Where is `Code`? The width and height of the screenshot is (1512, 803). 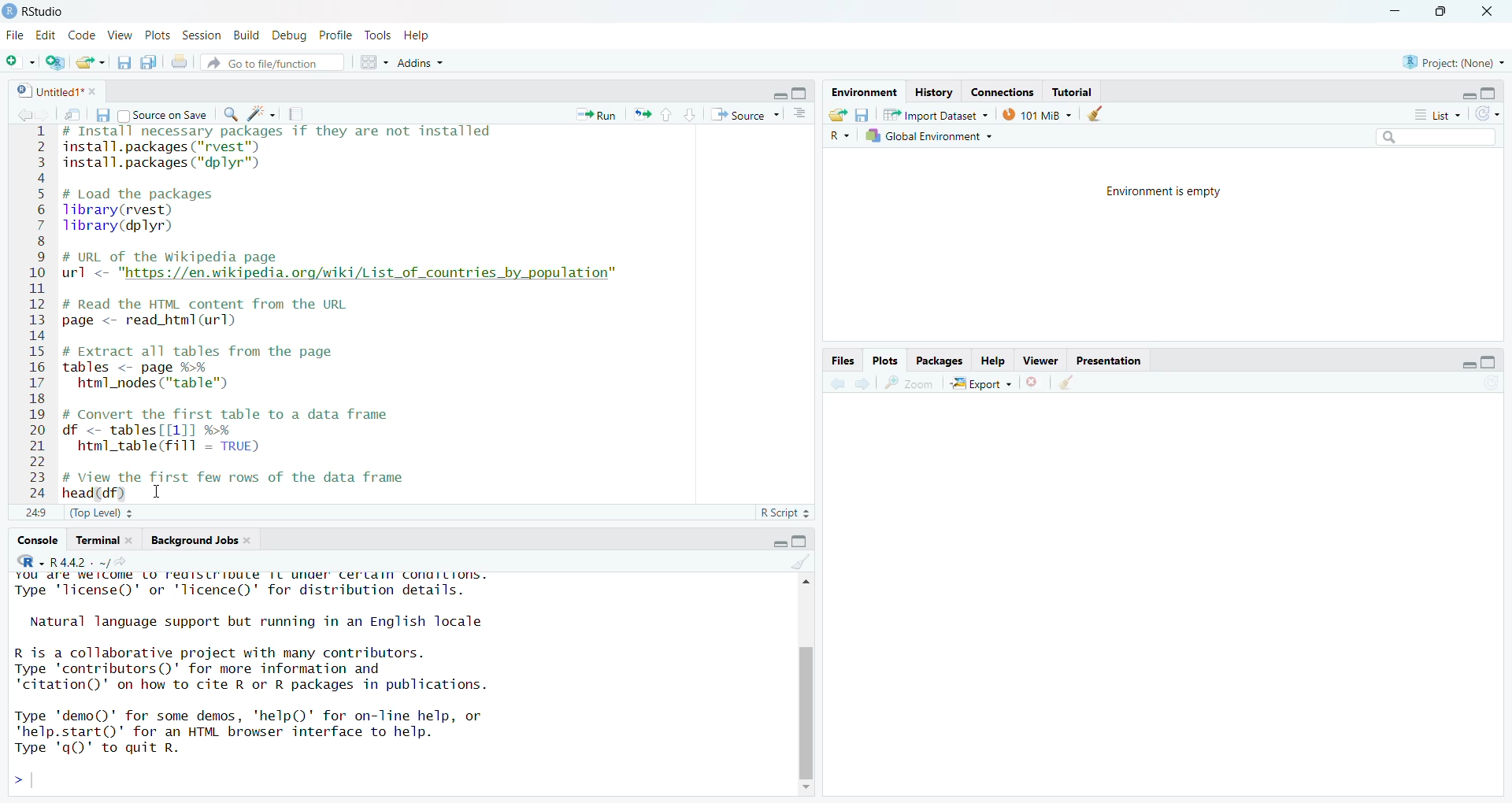 Code is located at coordinates (81, 35).